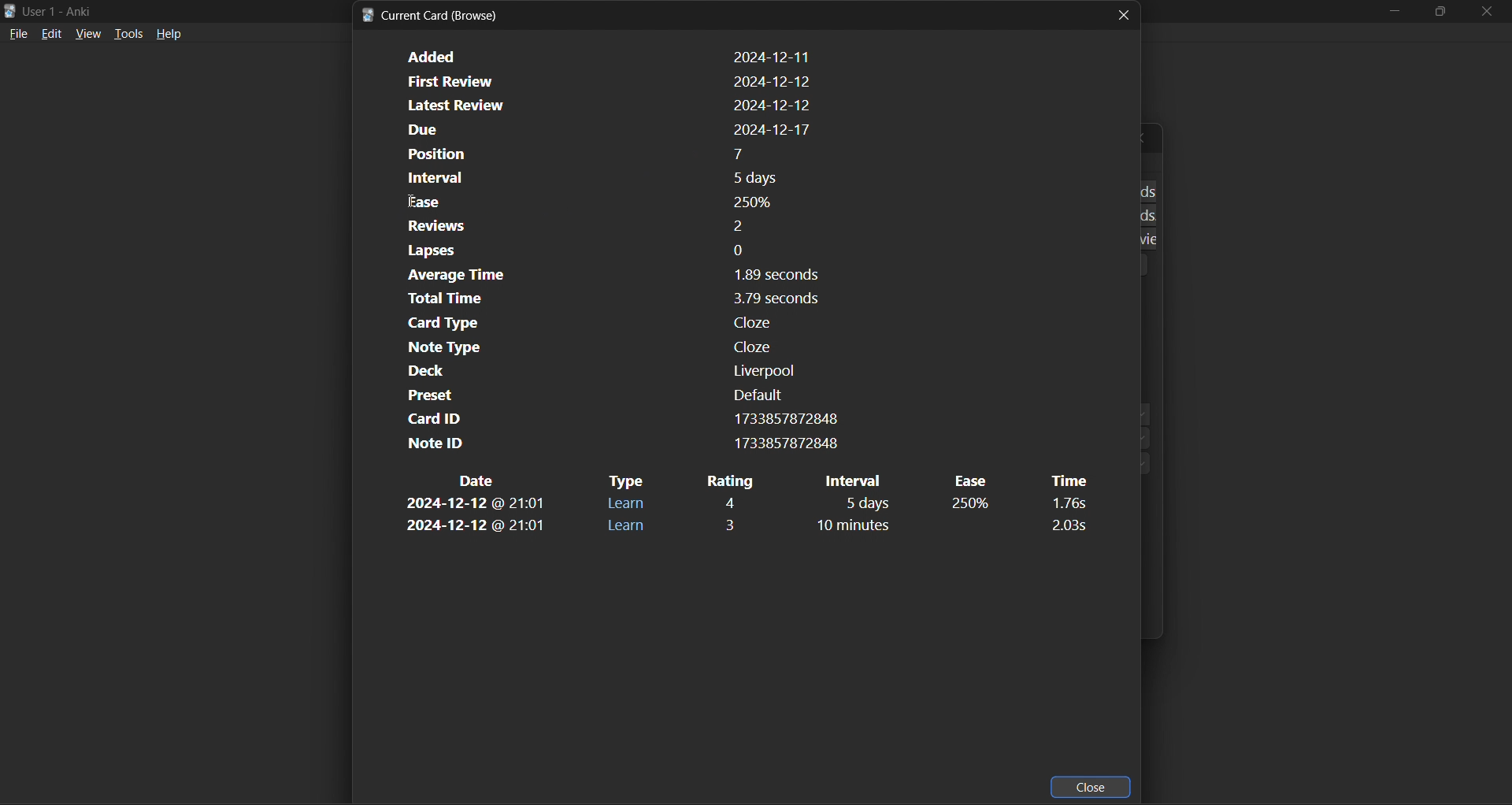 This screenshot has height=805, width=1512. I want to click on ease, so click(969, 480).